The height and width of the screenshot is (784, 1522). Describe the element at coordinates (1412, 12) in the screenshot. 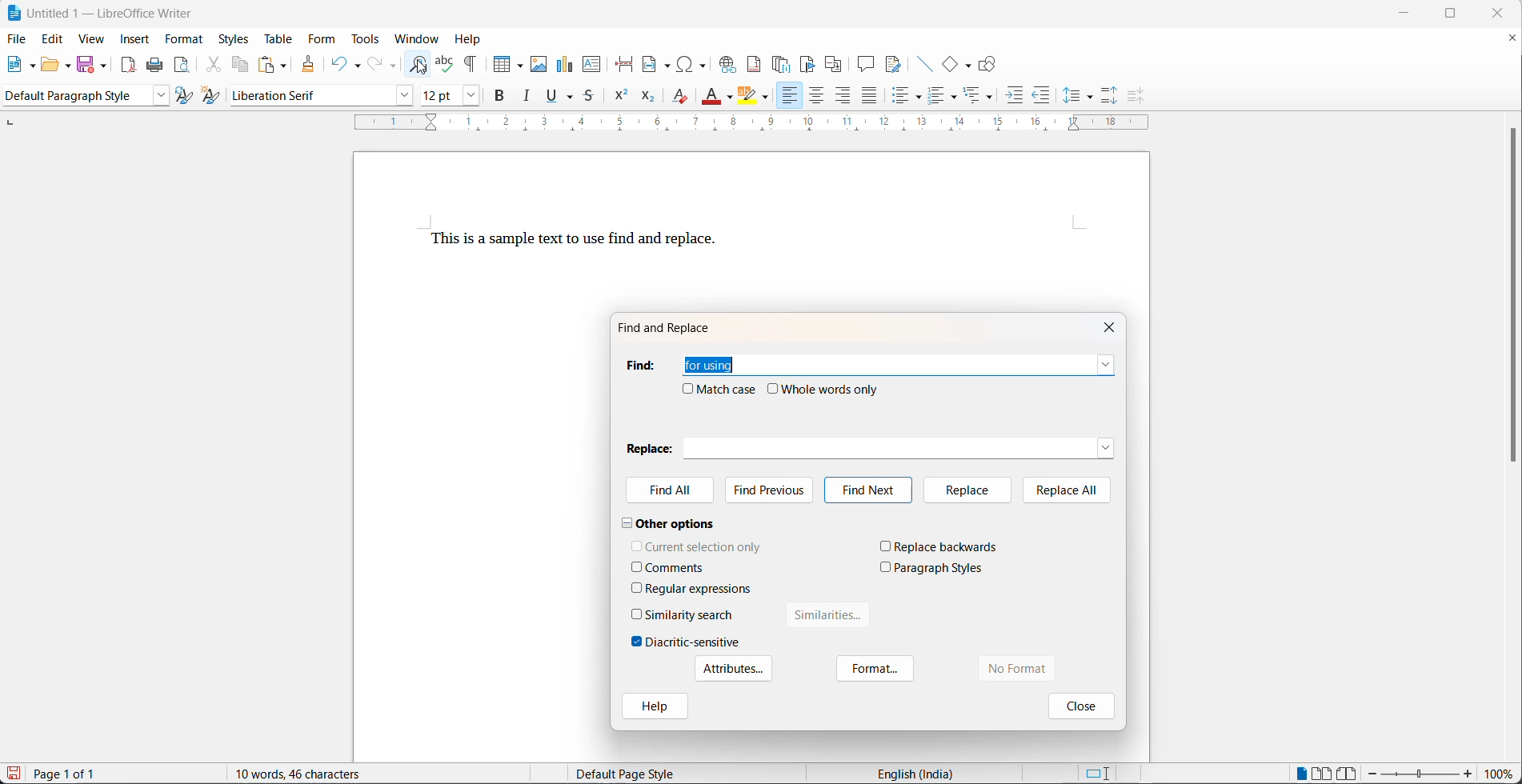

I see `minimize` at that location.